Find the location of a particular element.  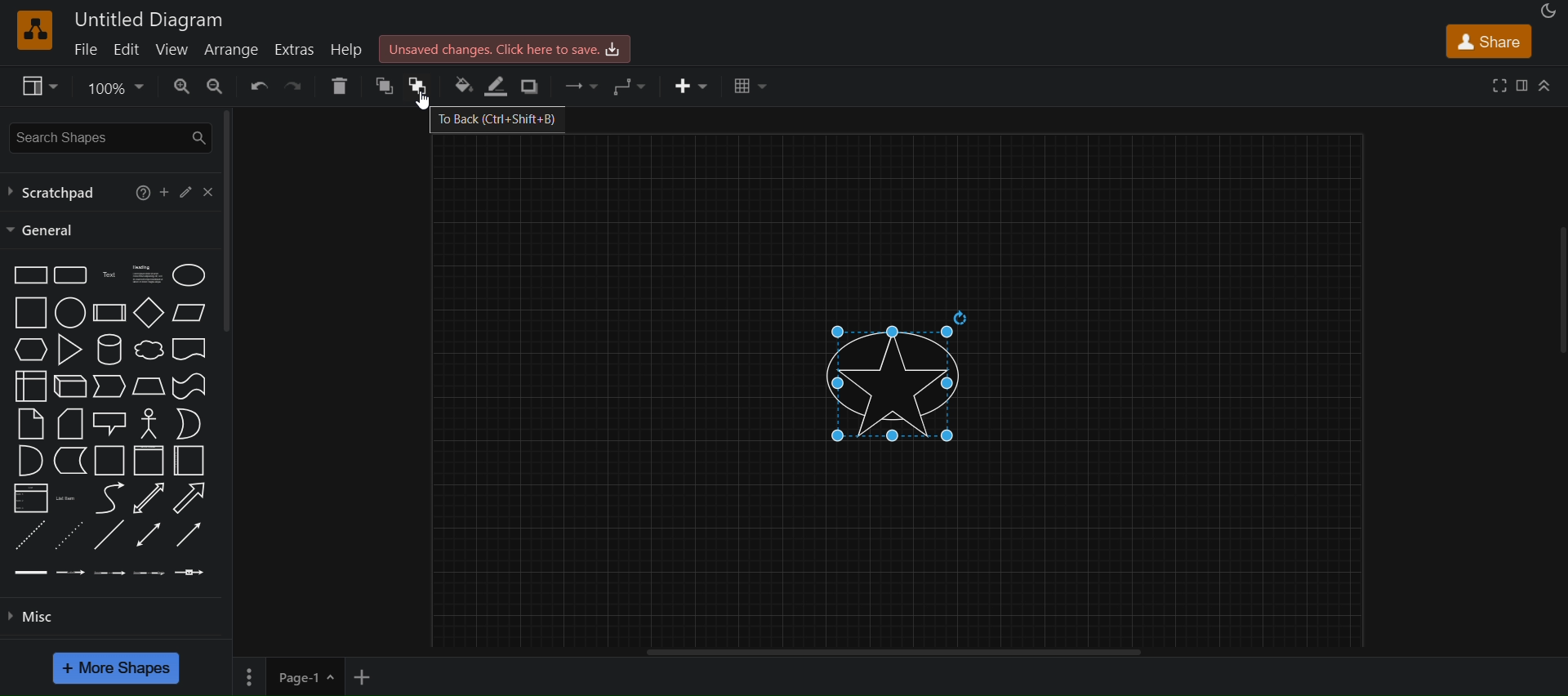

callout is located at coordinates (109, 422).